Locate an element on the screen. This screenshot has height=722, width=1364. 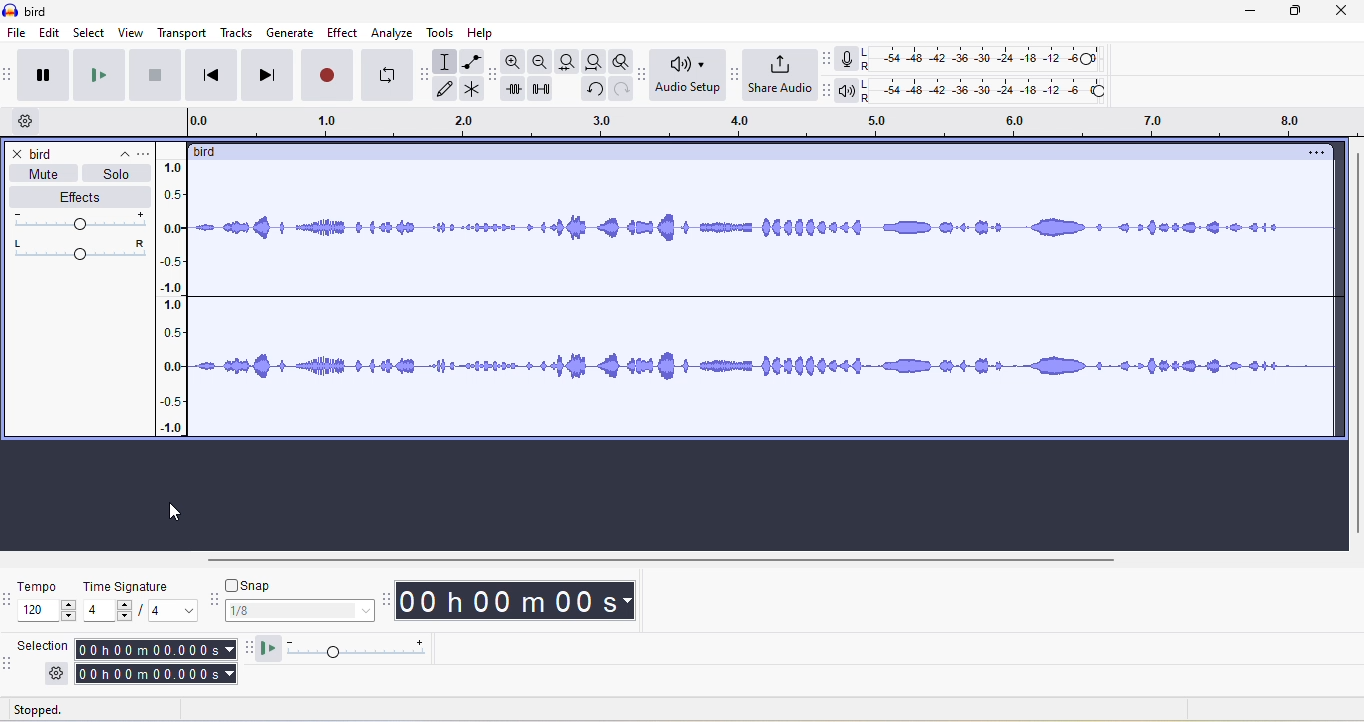
zoom toggle is located at coordinates (615, 64).